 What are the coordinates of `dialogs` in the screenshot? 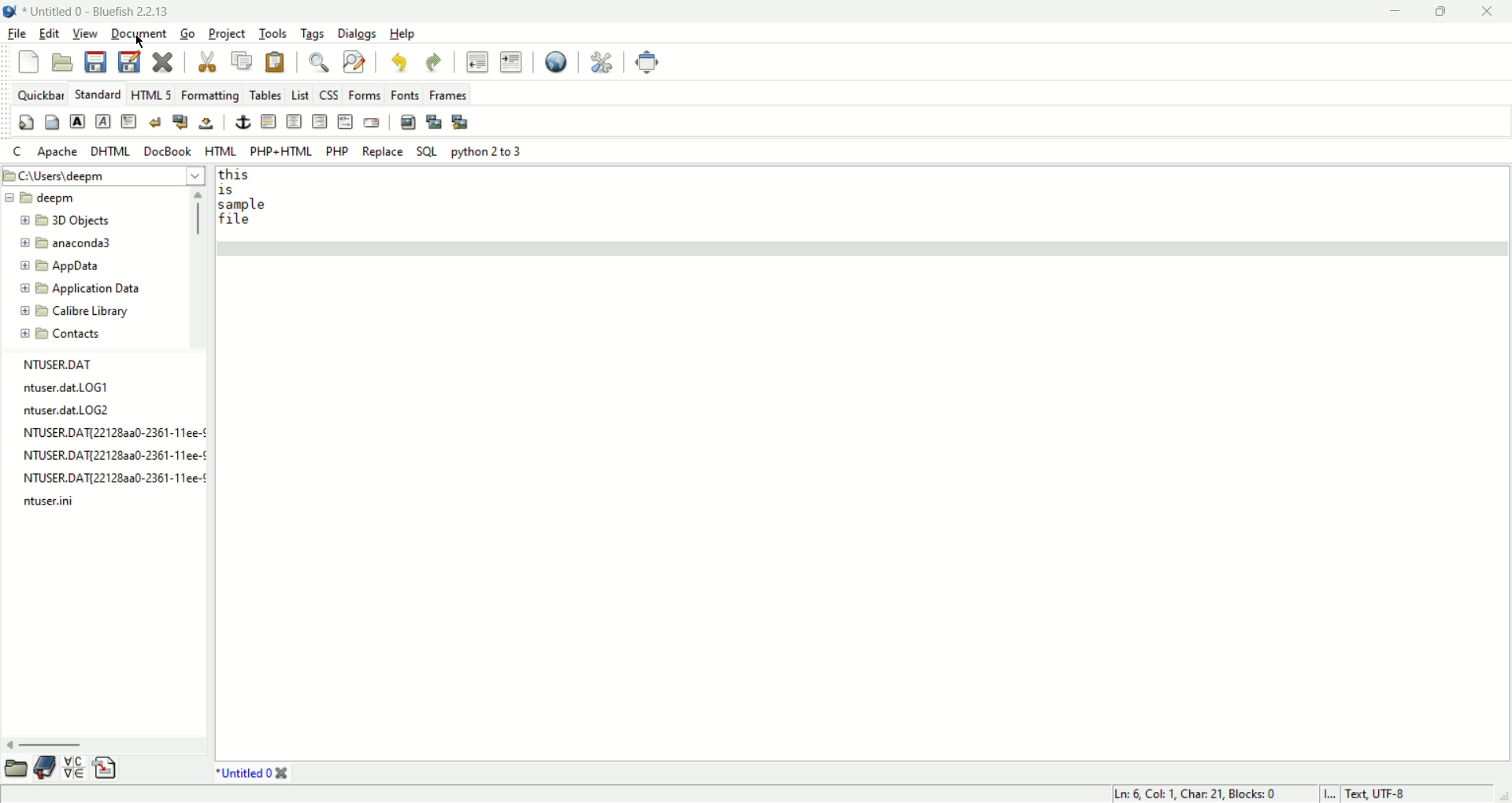 It's located at (357, 34).